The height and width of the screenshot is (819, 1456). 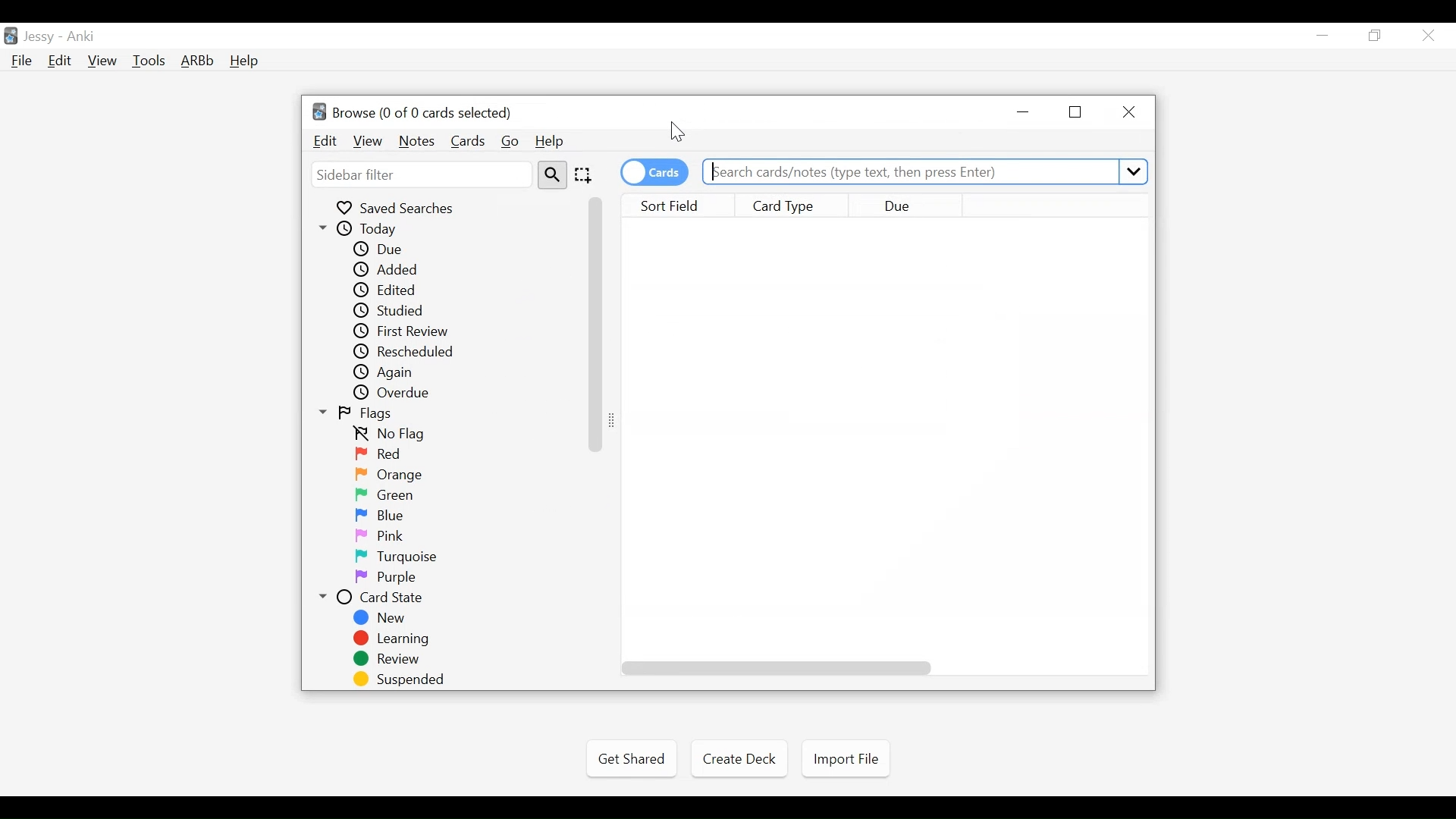 I want to click on Selection Tool, so click(x=585, y=176).